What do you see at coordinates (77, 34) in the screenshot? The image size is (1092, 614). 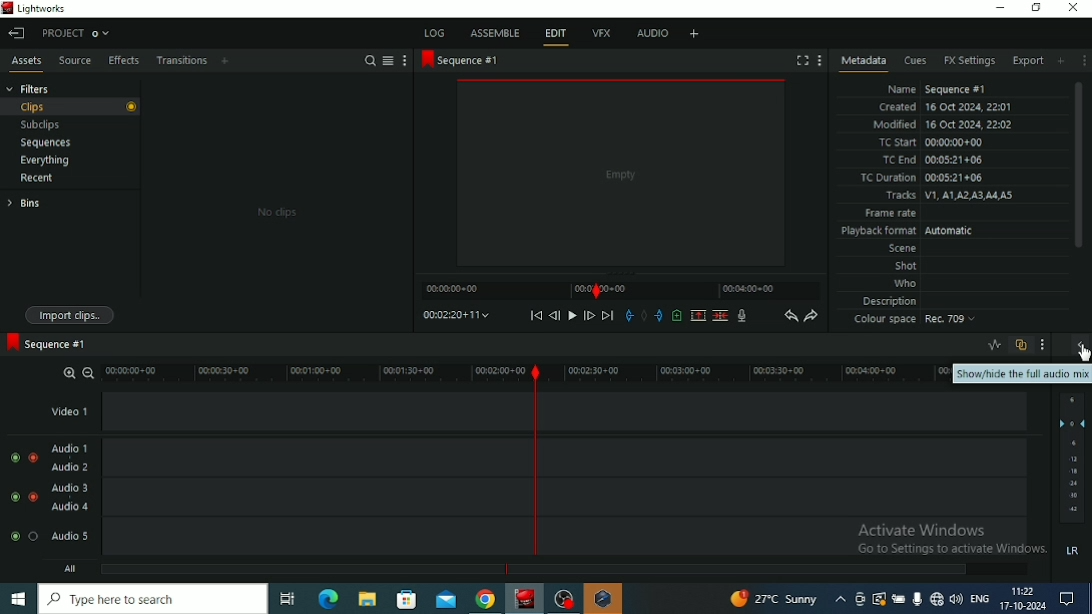 I see `Show/change project details` at bounding box center [77, 34].